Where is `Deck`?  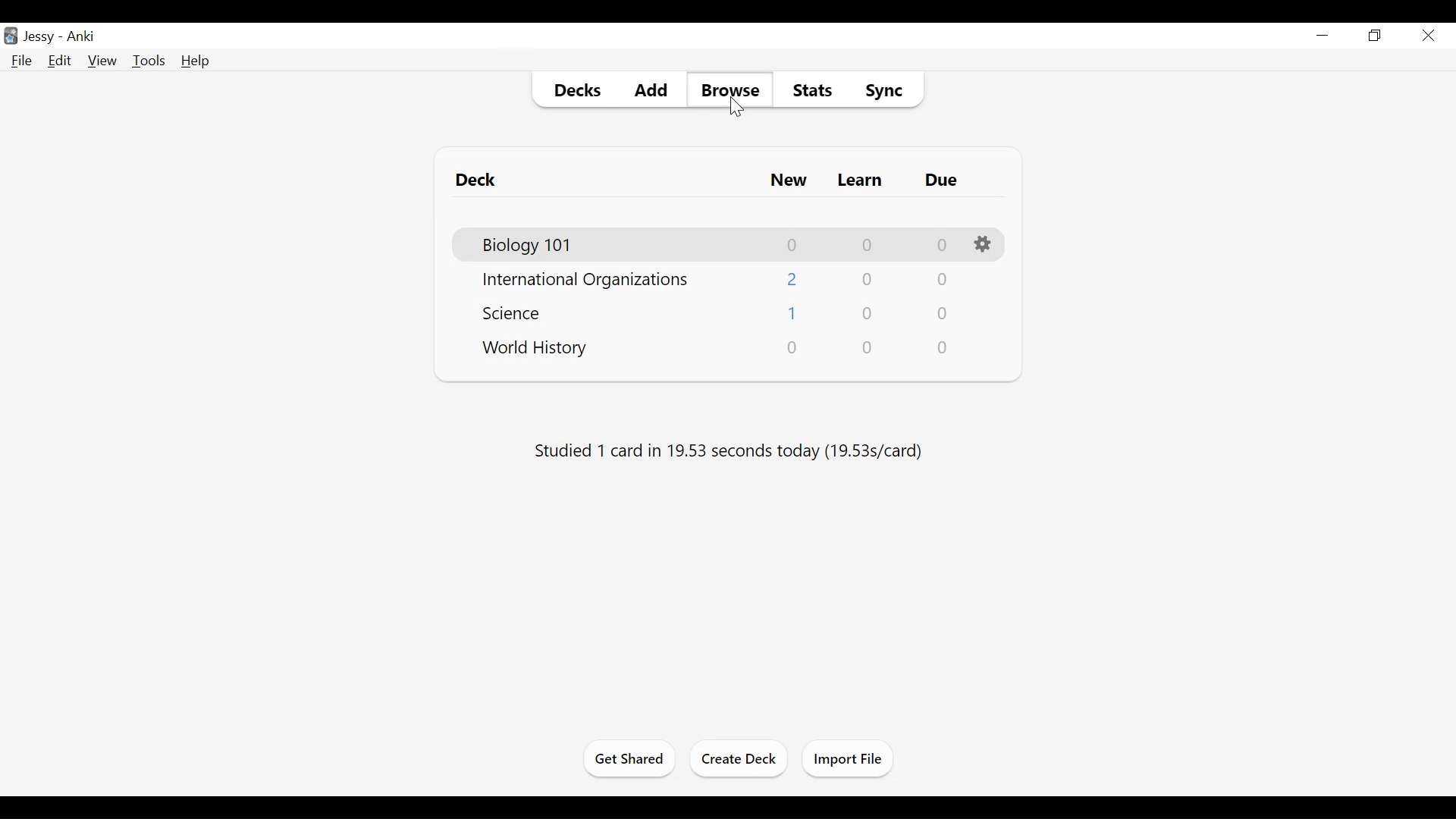 Deck is located at coordinates (476, 180).